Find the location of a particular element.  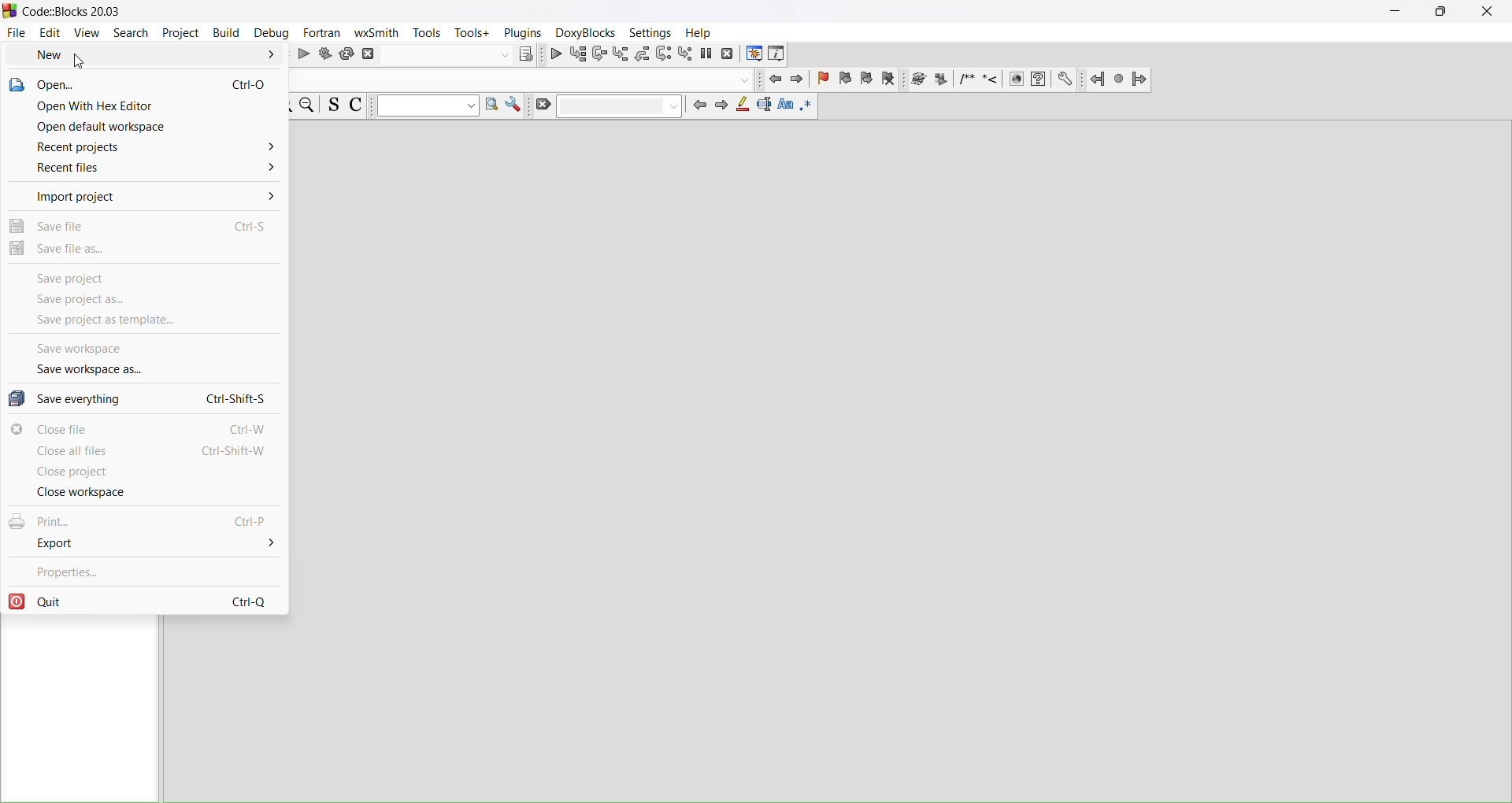

clear is located at coordinates (609, 107).